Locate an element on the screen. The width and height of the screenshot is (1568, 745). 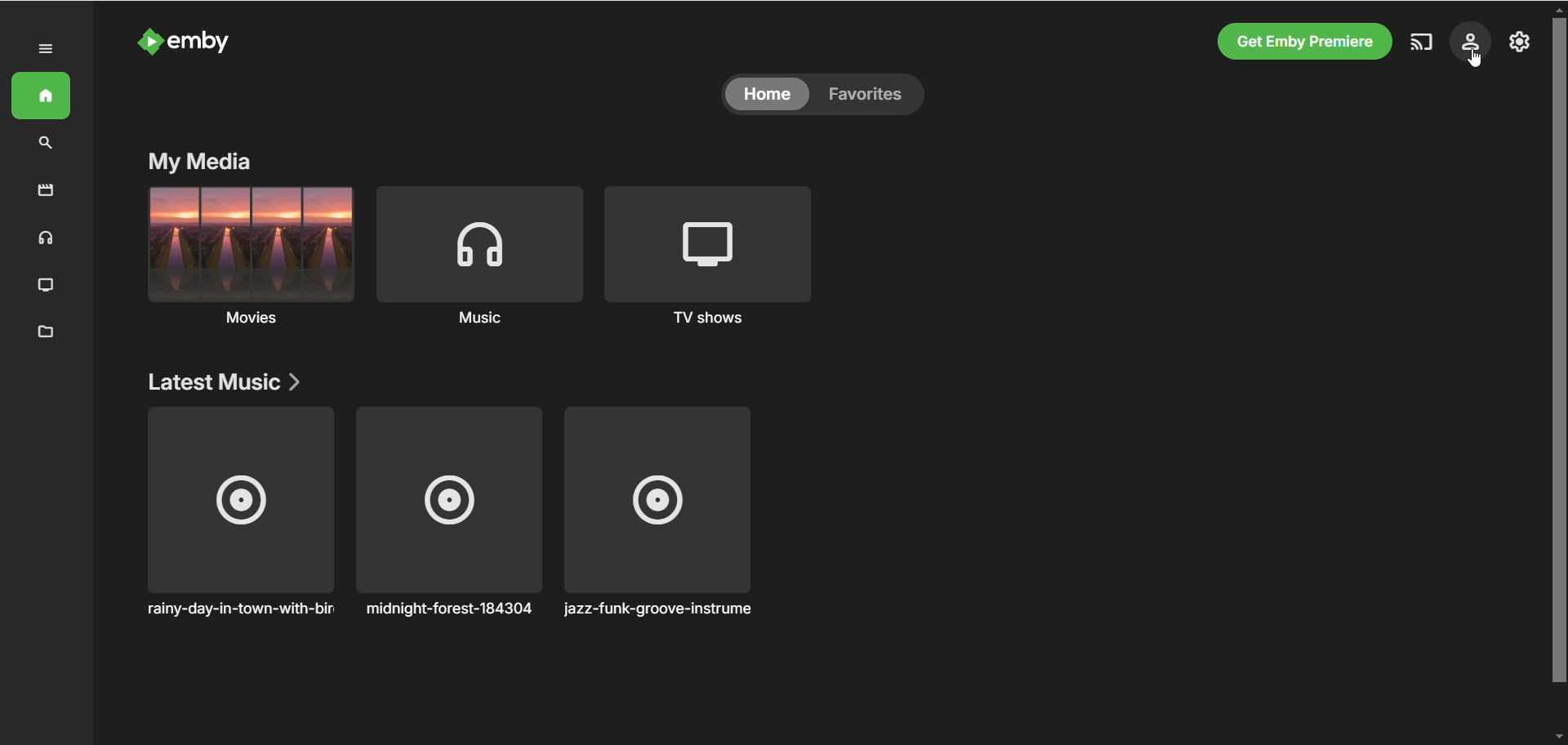
emby logo is located at coordinates (149, 44).